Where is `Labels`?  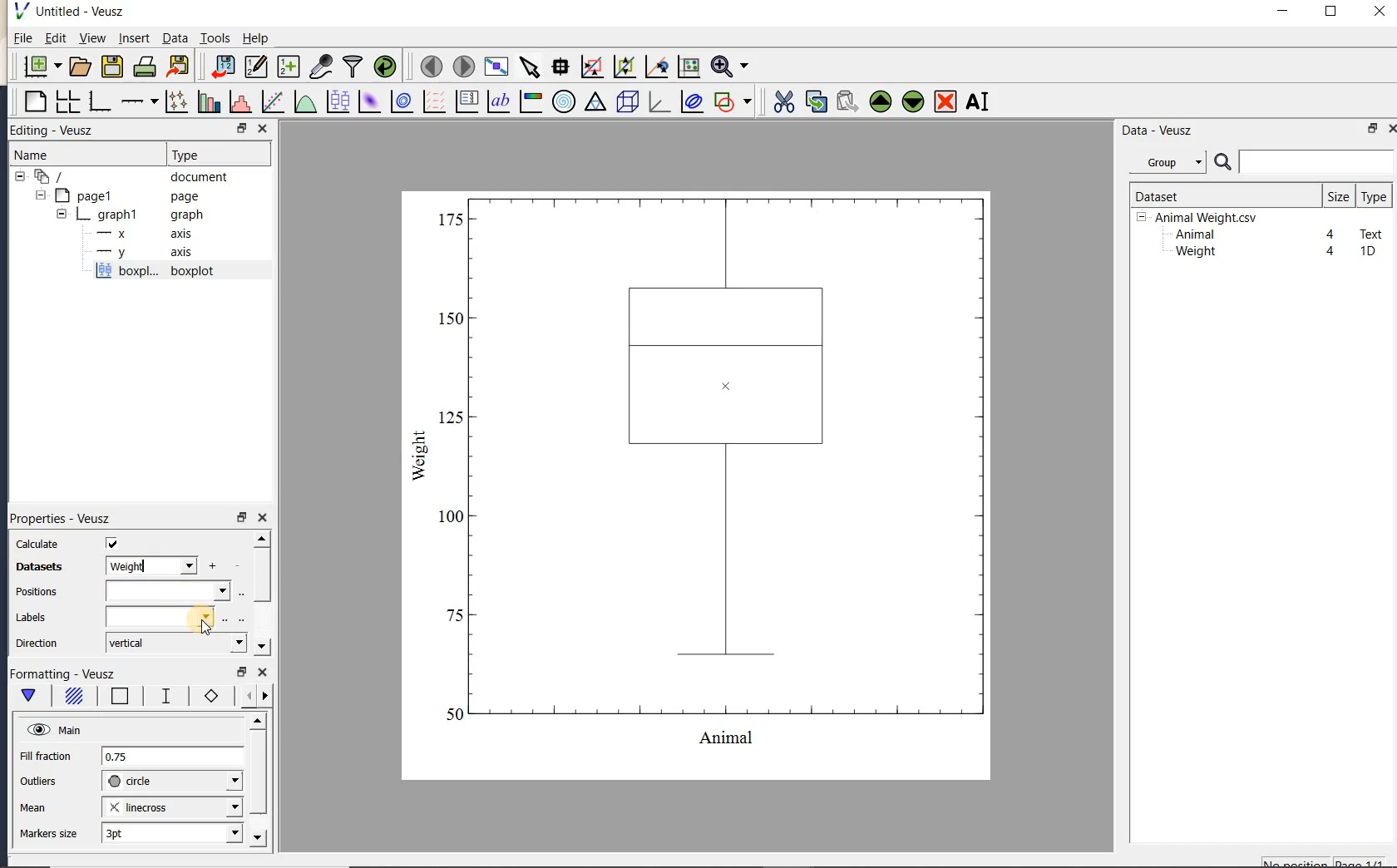
Labels is located at coordinates (31, 618).